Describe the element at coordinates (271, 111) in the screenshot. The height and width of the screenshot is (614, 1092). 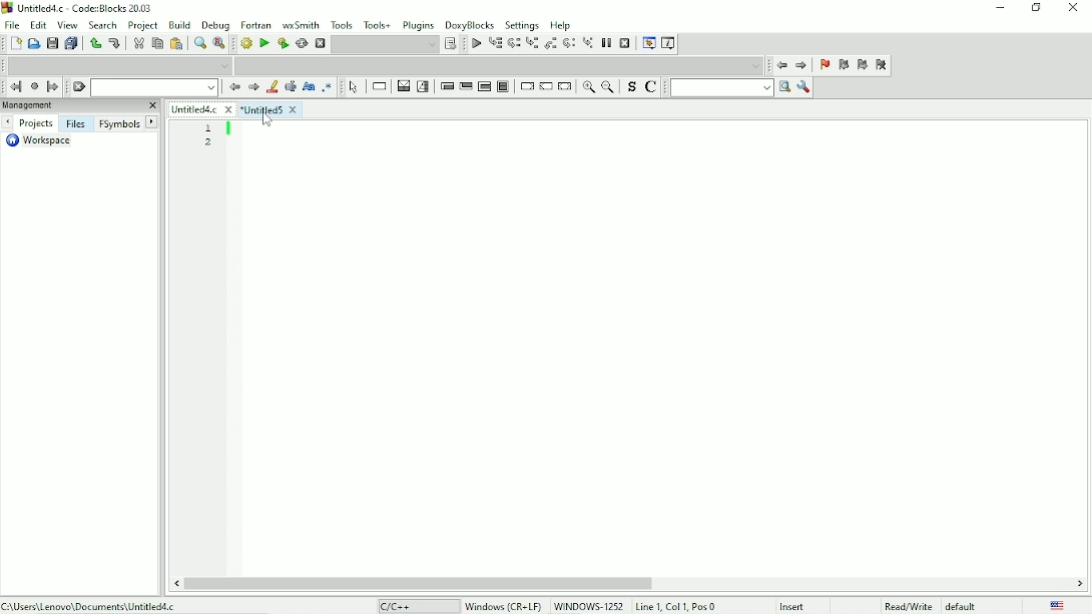
I see `Untitled5` at that location.